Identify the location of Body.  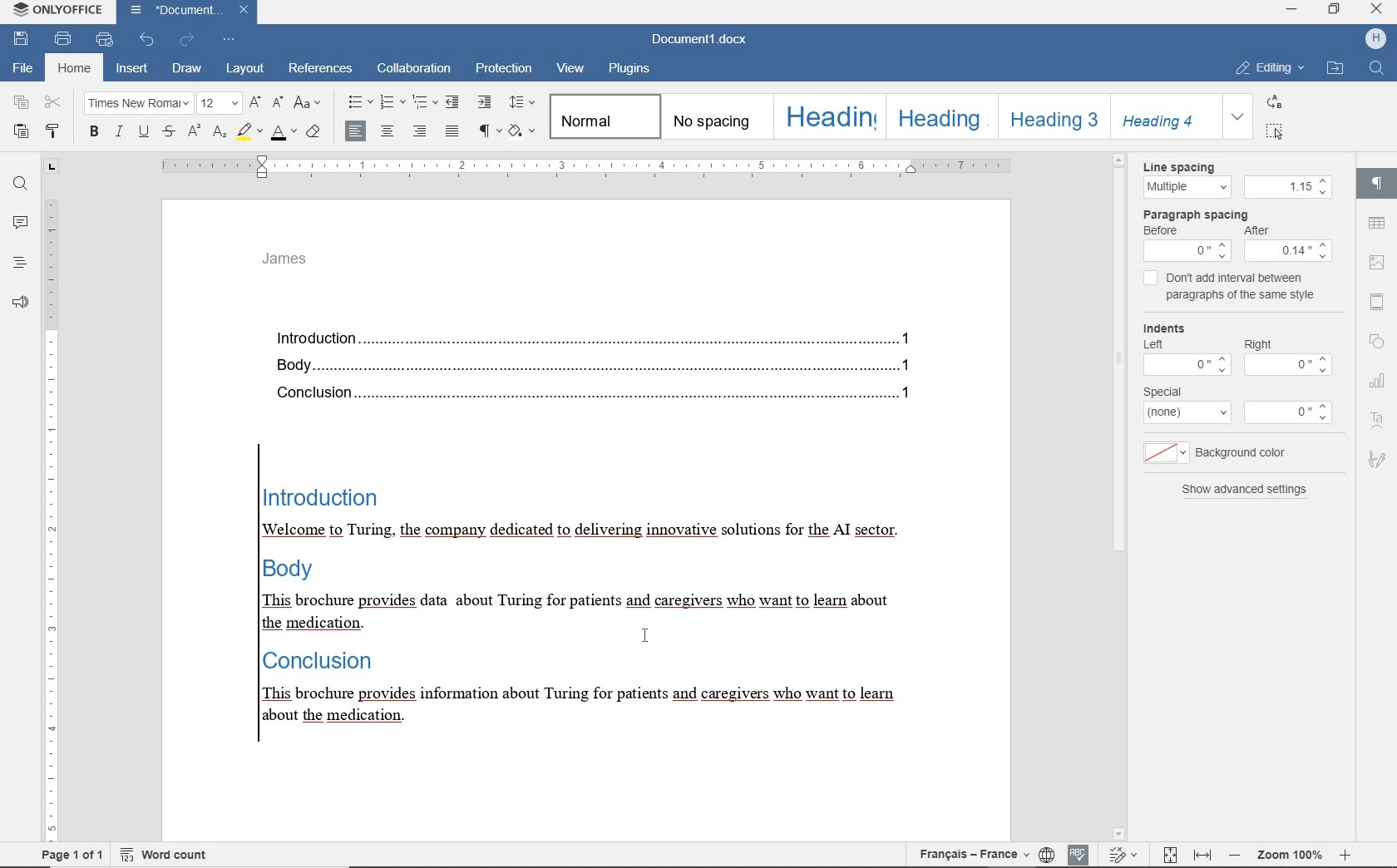
(601, 362).